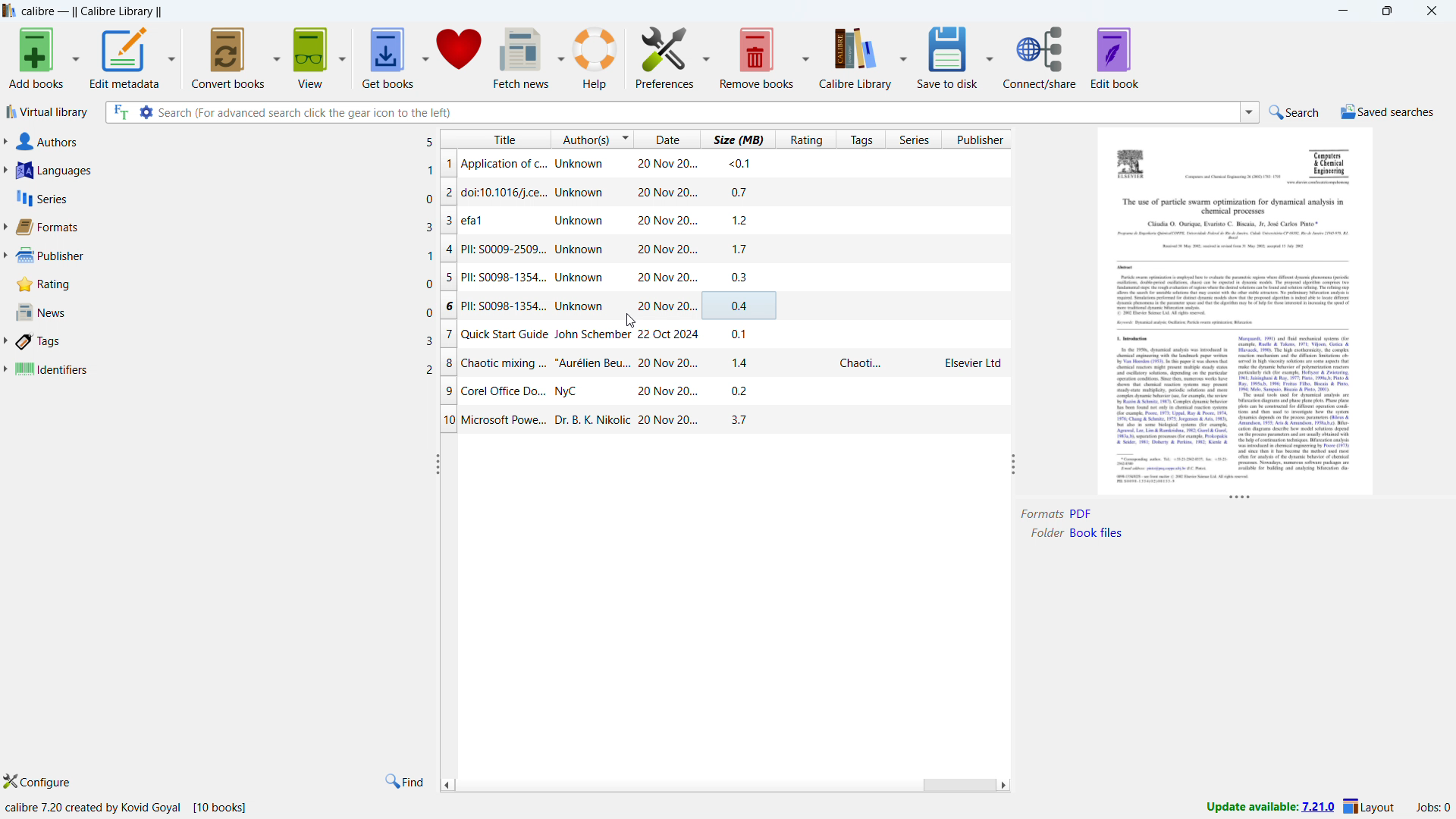 Image resolution: width=1456 pixels, height=819 pixels. I want to click on preferences, so click(664, 56).